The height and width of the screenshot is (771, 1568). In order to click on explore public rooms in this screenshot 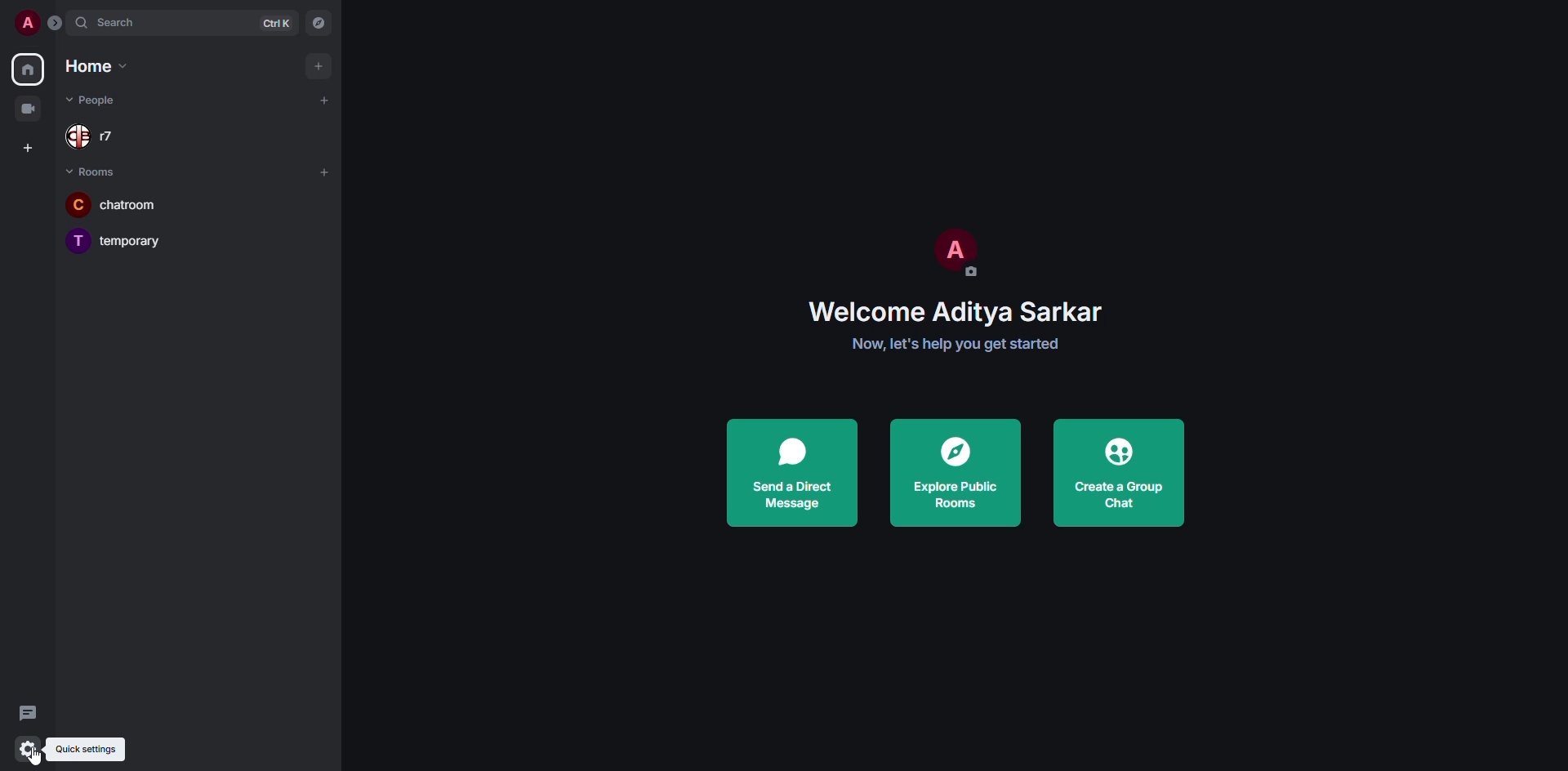, I will do `click(951, 473)`.